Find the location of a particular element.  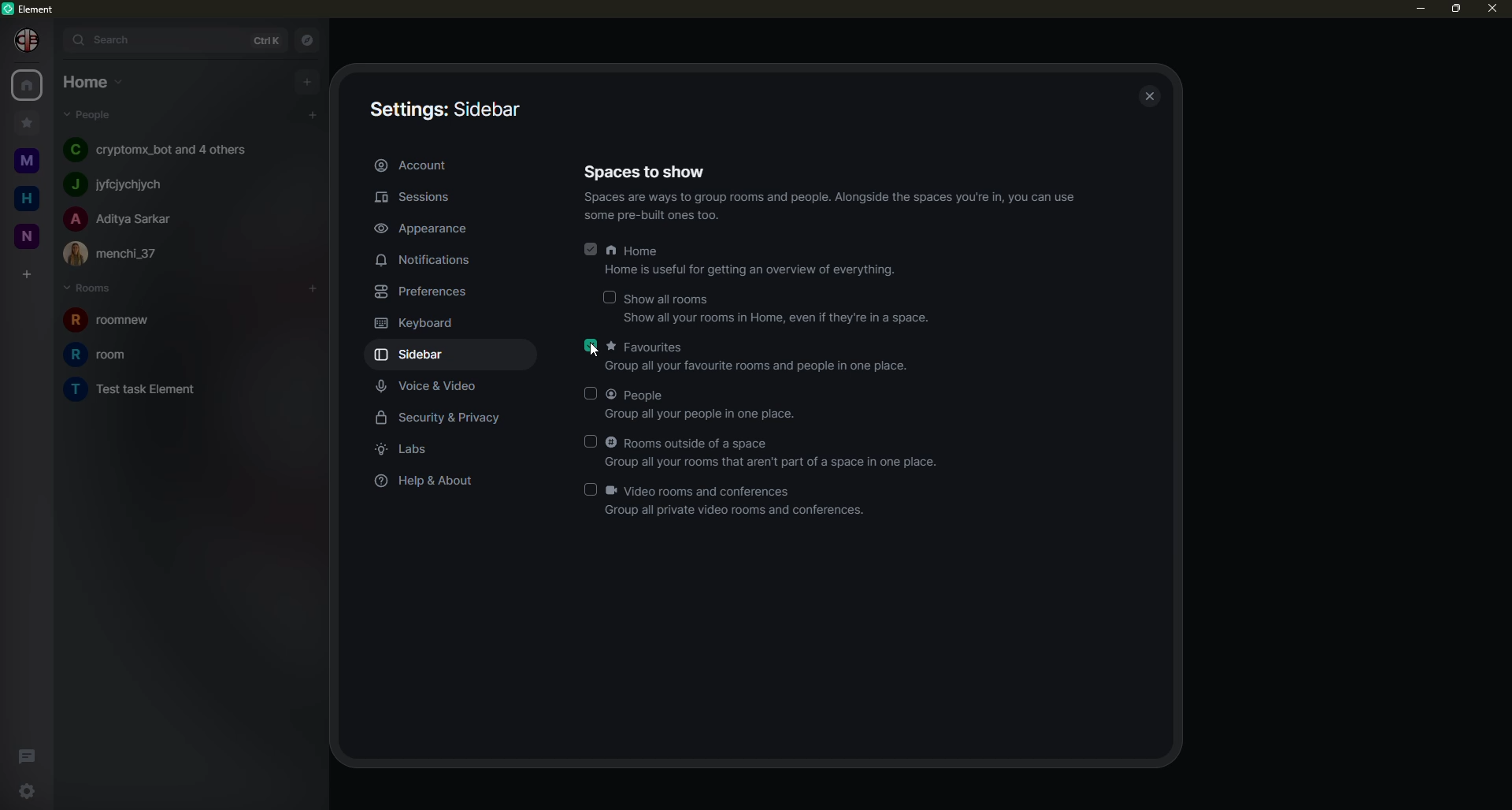

search is located at coordinates (110, 39).